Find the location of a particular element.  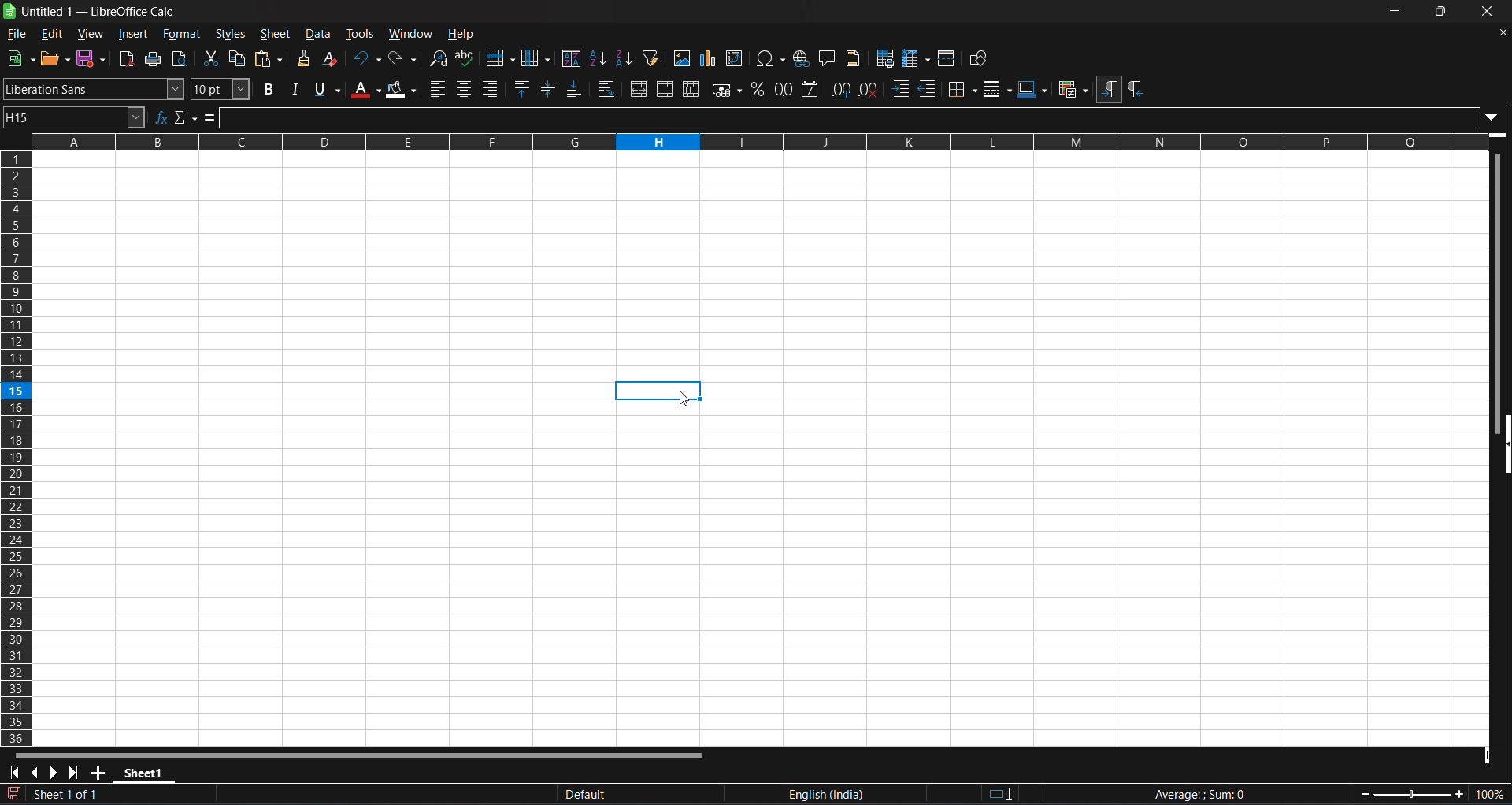

view is located at coordinates (89, 34).